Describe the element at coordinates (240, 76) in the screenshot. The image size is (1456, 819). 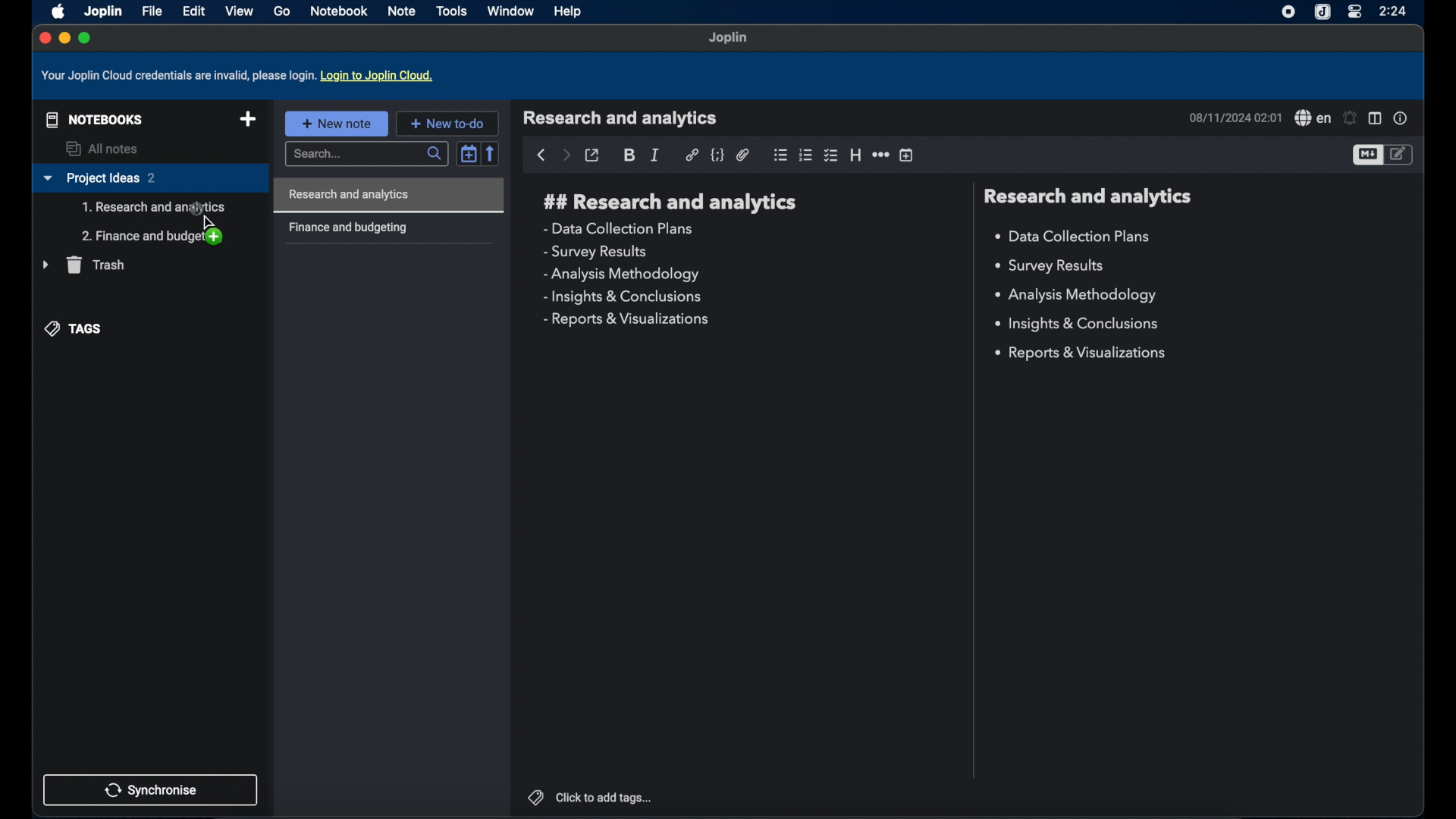
I see `your joplin cloud credentials are invalid, please log in.  log in to joplin cloud` at that location.